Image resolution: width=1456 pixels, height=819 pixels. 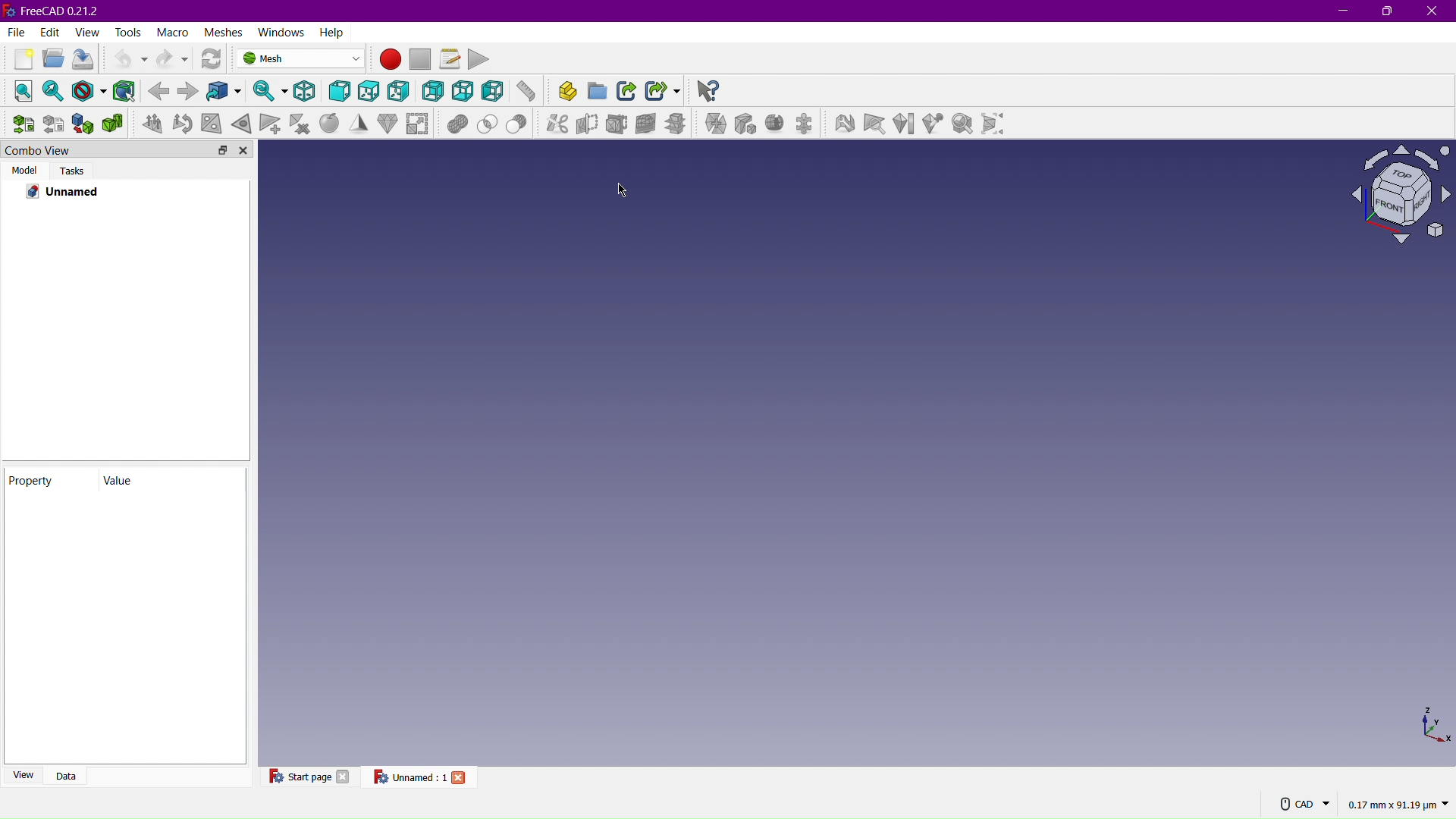 I want to click on Draw Style, so click(x=89, y=90).